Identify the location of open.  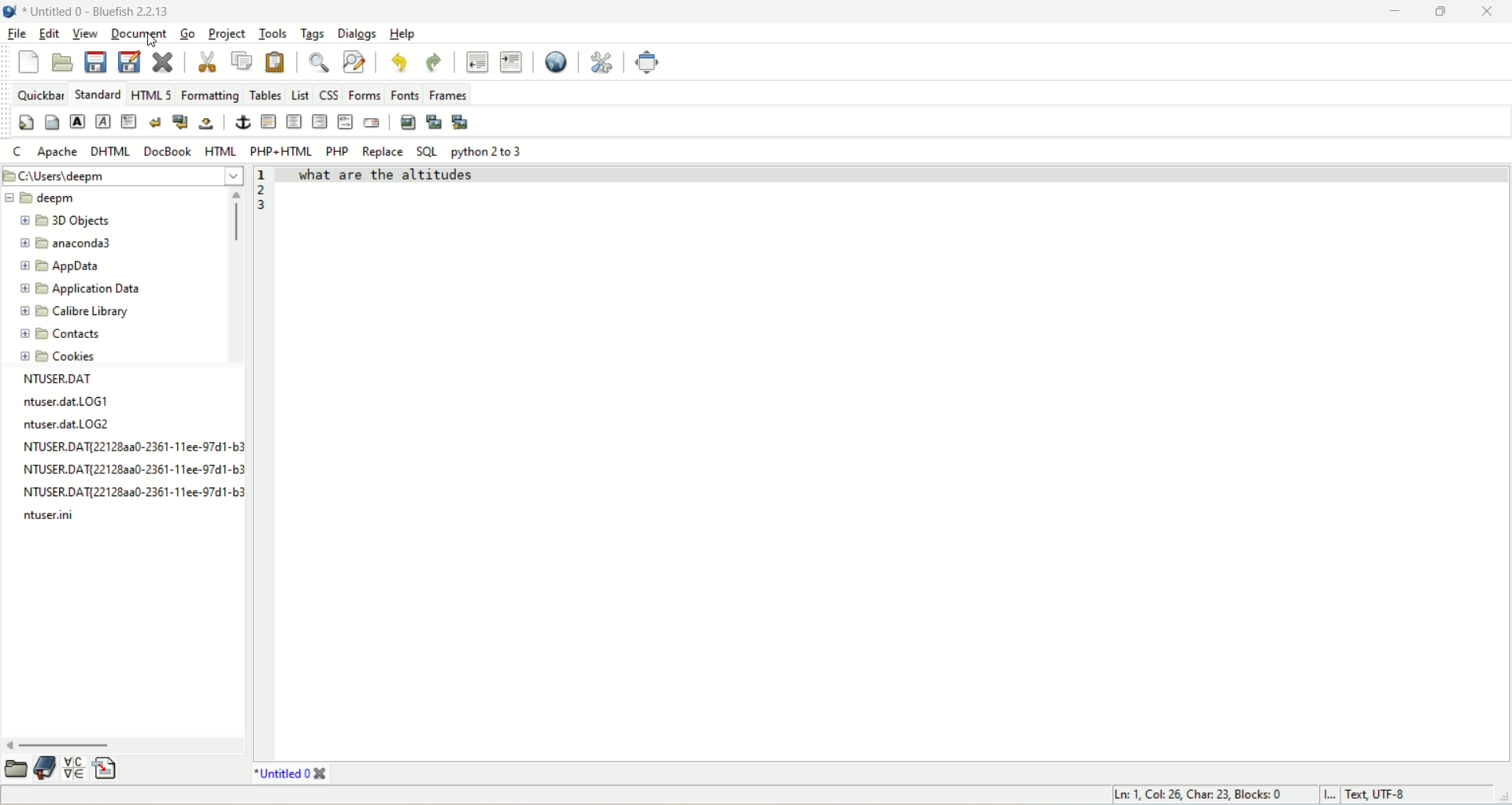
(17, 770).